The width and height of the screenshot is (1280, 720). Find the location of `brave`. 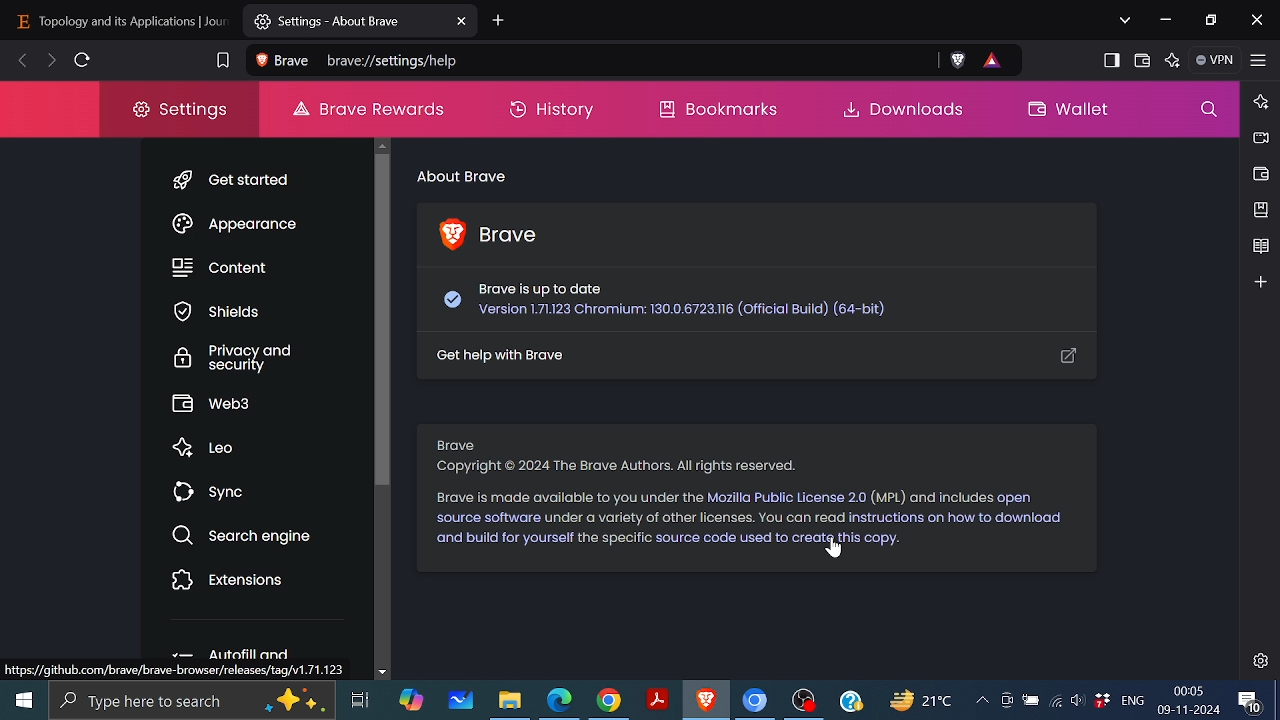

brave is located at coordinates (511, 236).